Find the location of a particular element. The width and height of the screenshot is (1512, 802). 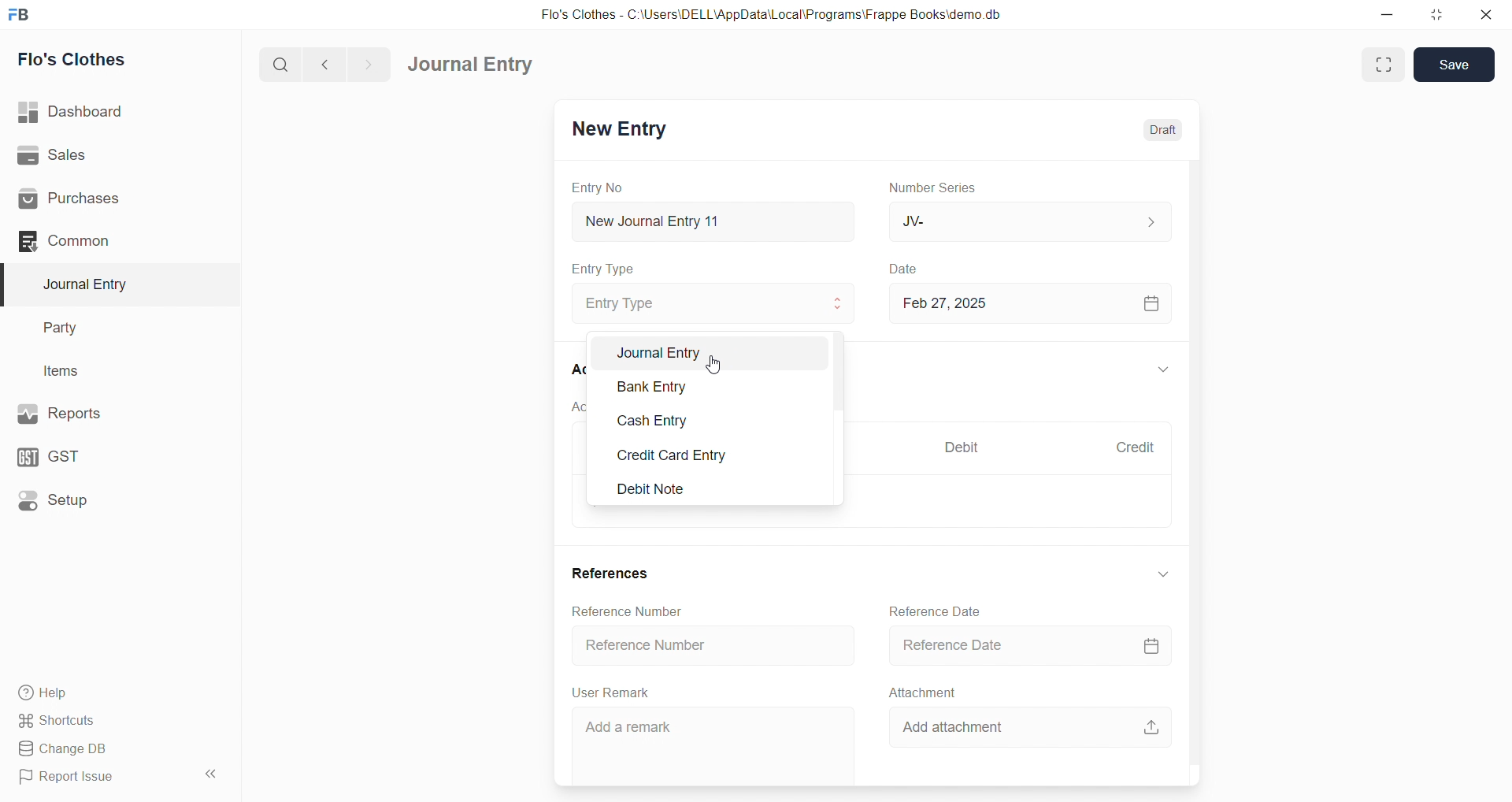

Journal Entry is located at coordinates (90, 284).